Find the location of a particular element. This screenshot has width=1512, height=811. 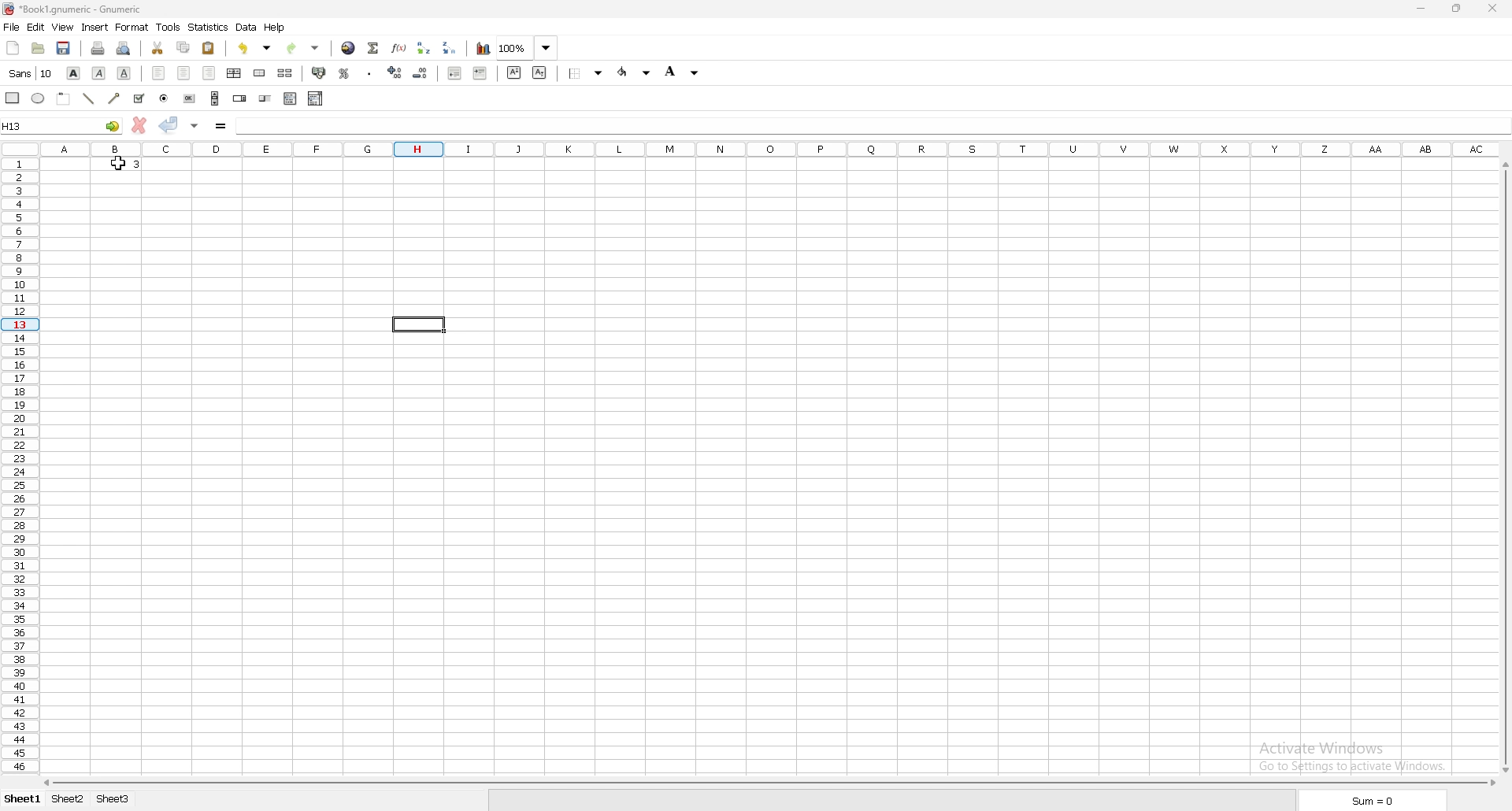

data is located at coordinates (247, 27).